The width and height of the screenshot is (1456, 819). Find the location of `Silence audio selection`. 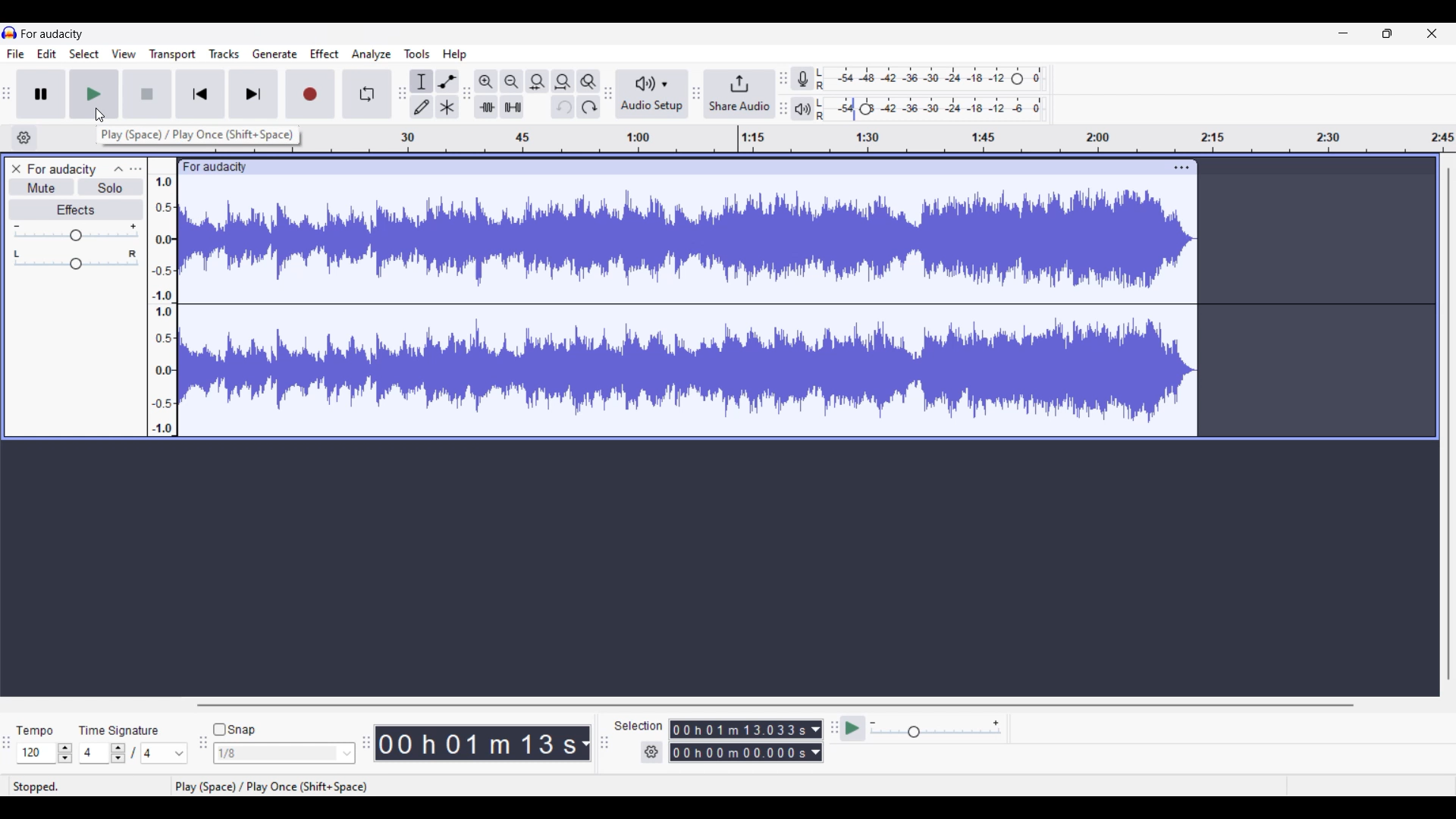

Silence audio selection is located at coordinates (513, 107).